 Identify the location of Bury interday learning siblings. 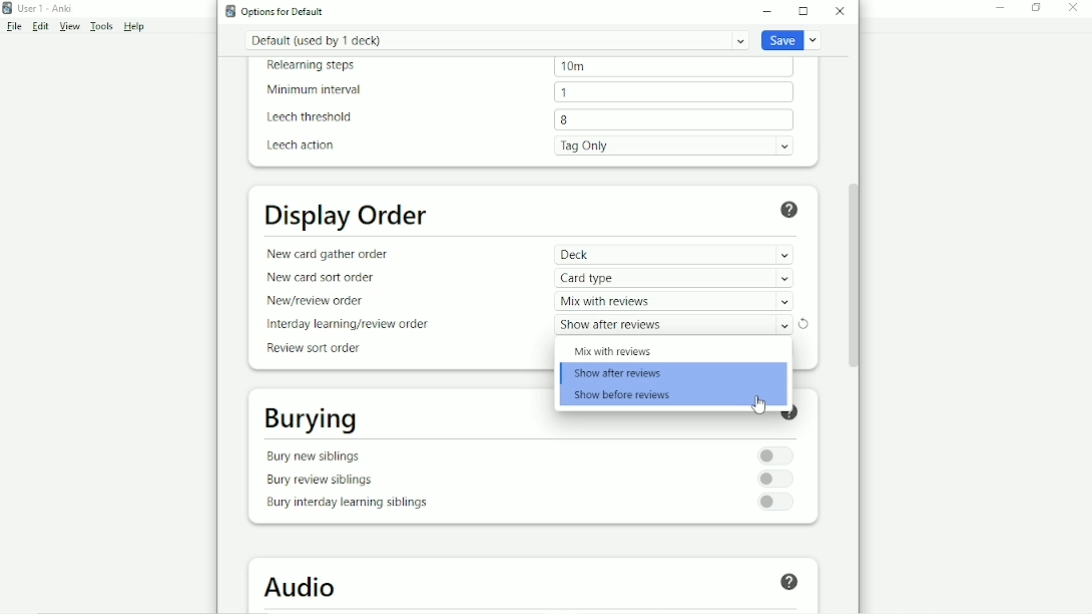
(345, 505).